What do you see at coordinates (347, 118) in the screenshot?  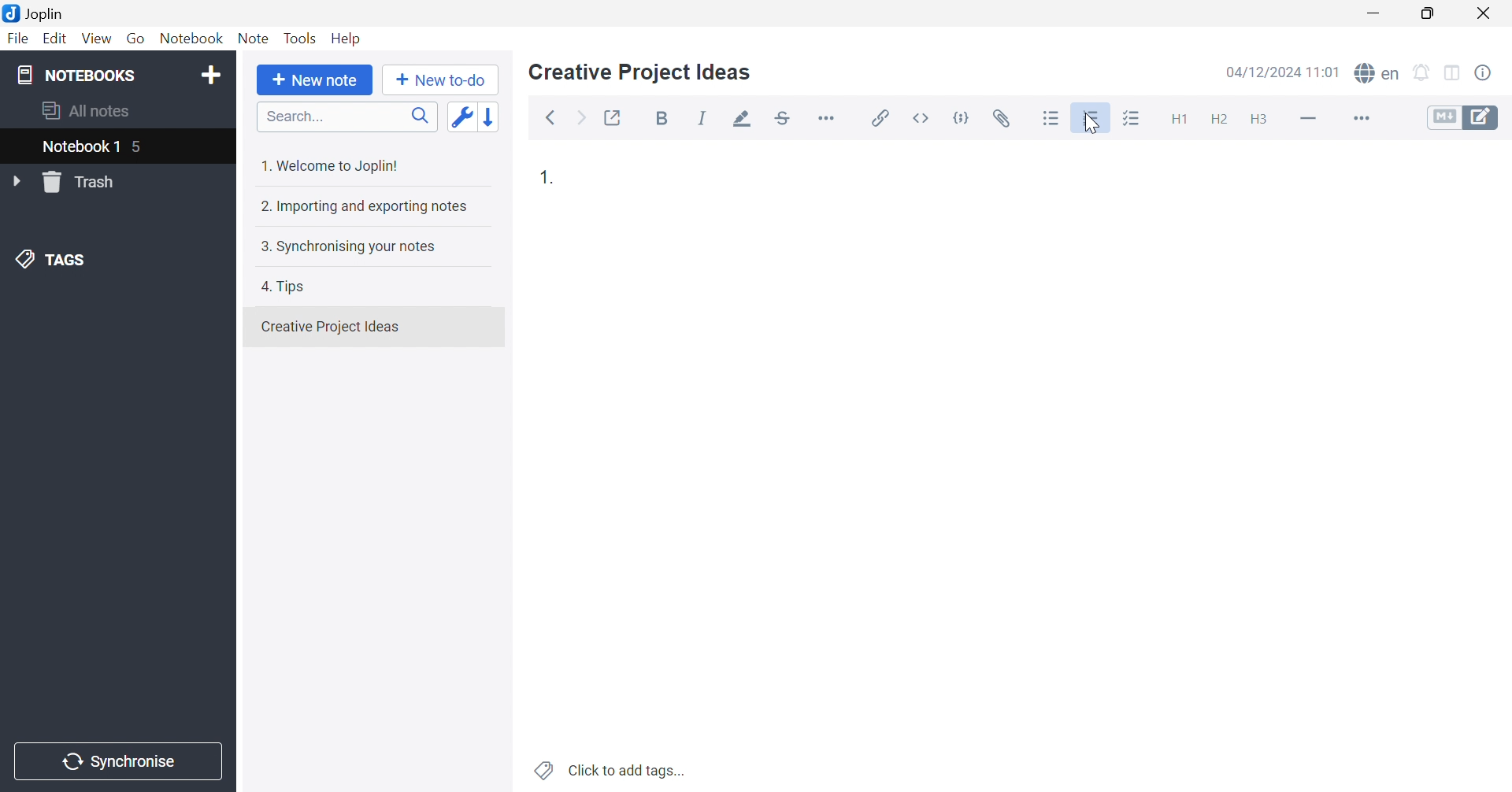 I see `Search` at bounding box center [347, 118].